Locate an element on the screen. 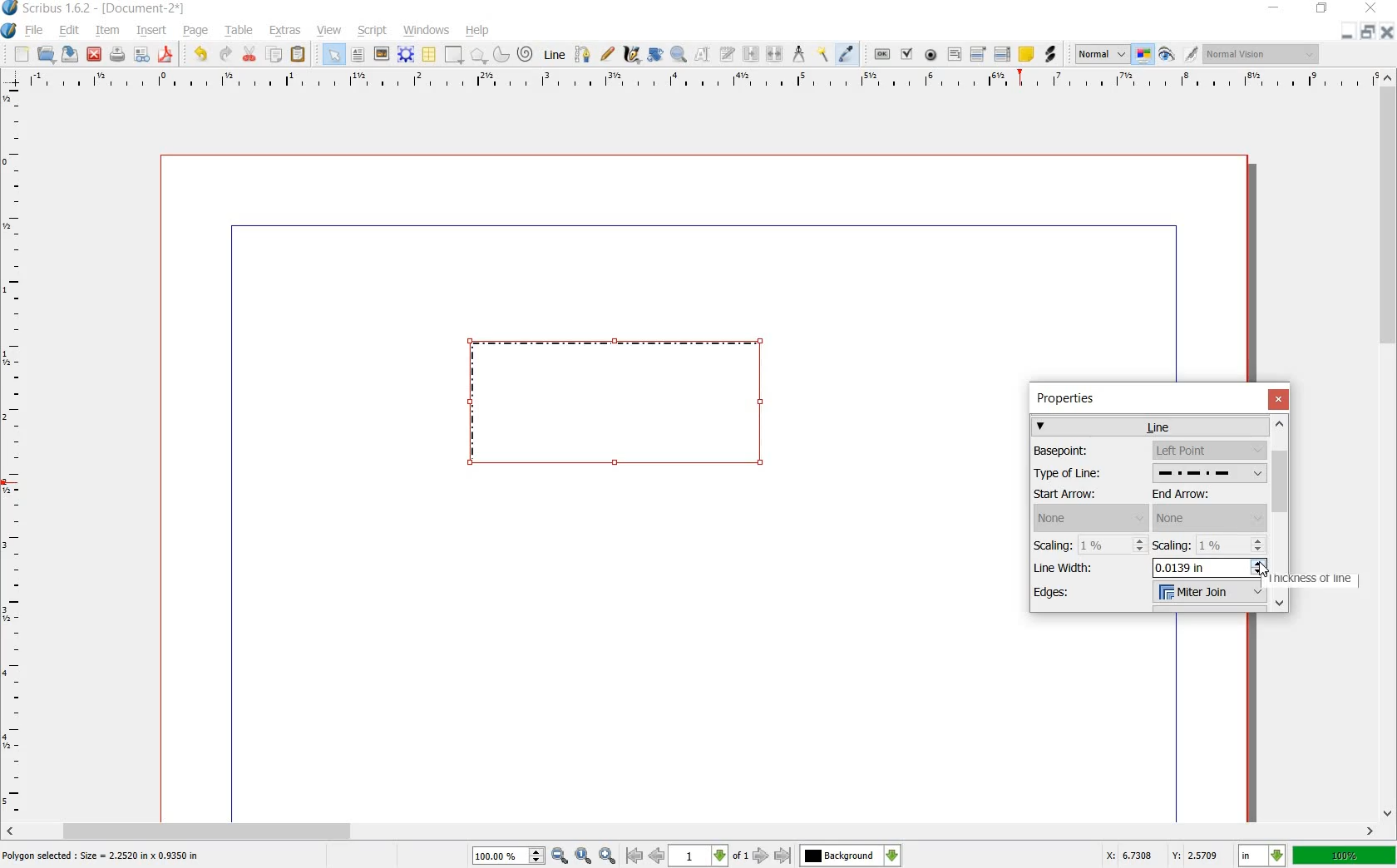 The width and height of the screenshot is (1397, 868). PREVIEW MODE is located at coordinates (1167, 55).